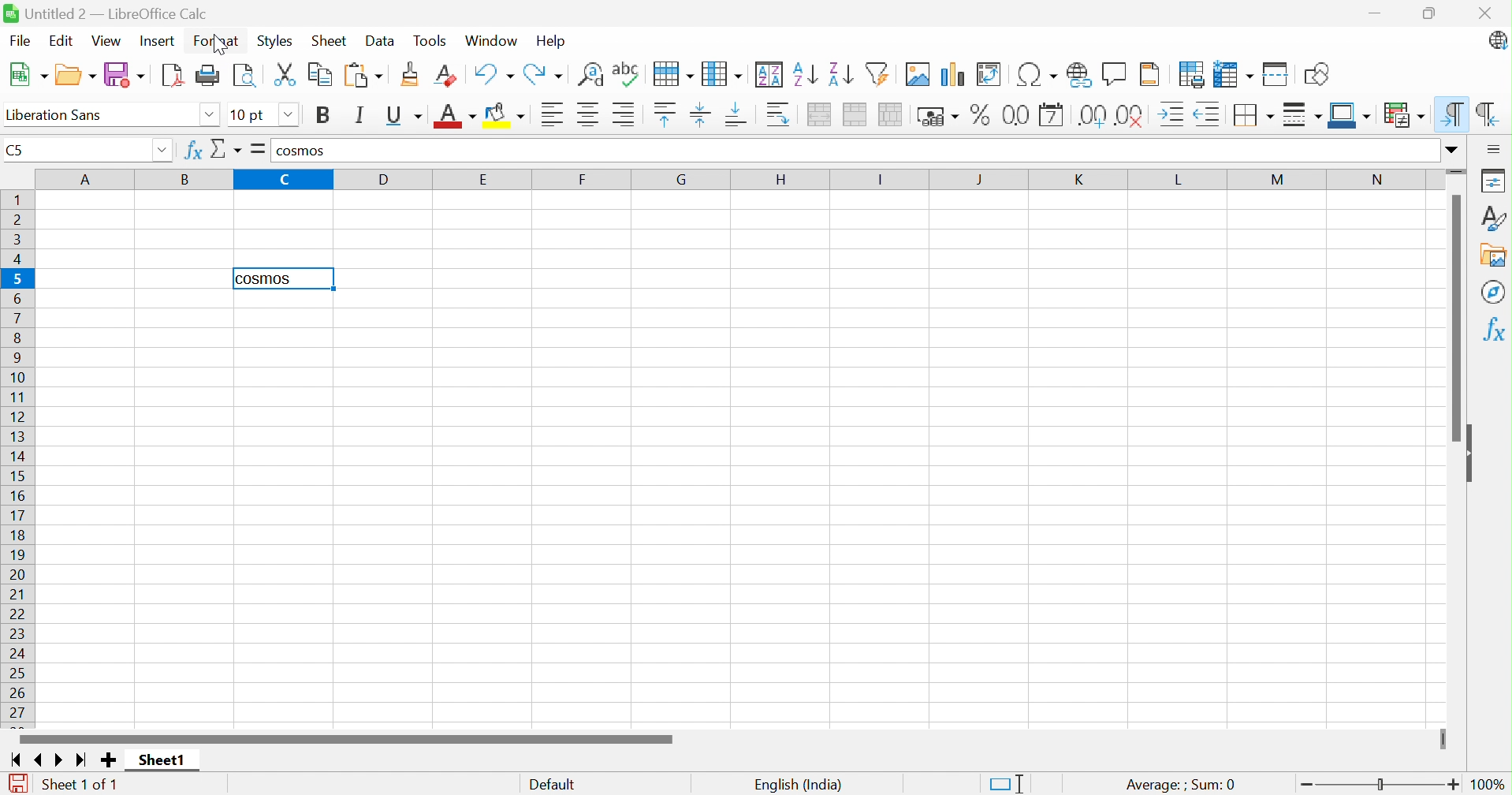 The width and height of the screenshot is (1512, 795). What do you see at coordinates (625, 114) in the screenshot?
I see `Align right` at bounding box center [625, 114].